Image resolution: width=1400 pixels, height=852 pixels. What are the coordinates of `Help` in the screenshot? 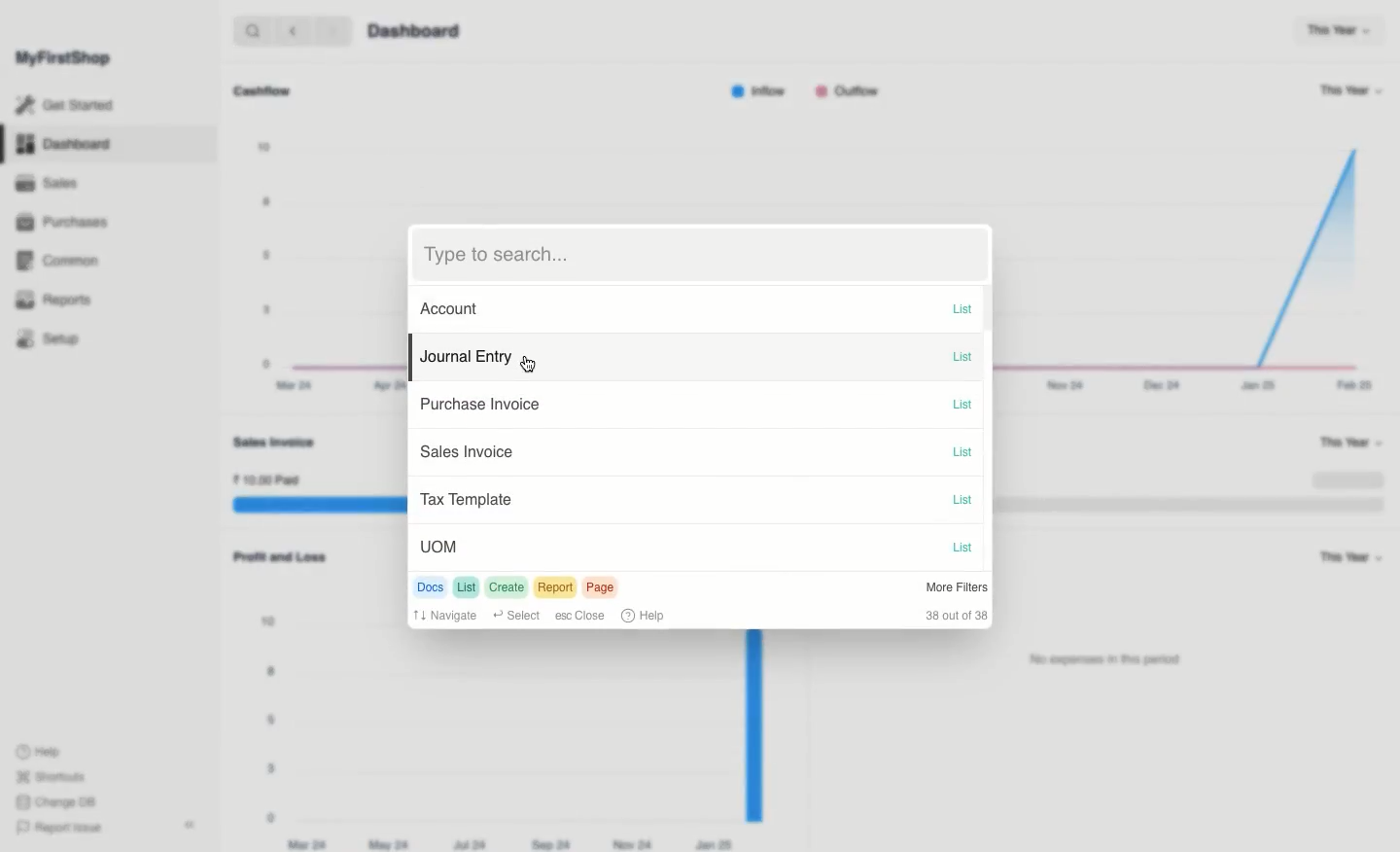 It's located at (36, 750).